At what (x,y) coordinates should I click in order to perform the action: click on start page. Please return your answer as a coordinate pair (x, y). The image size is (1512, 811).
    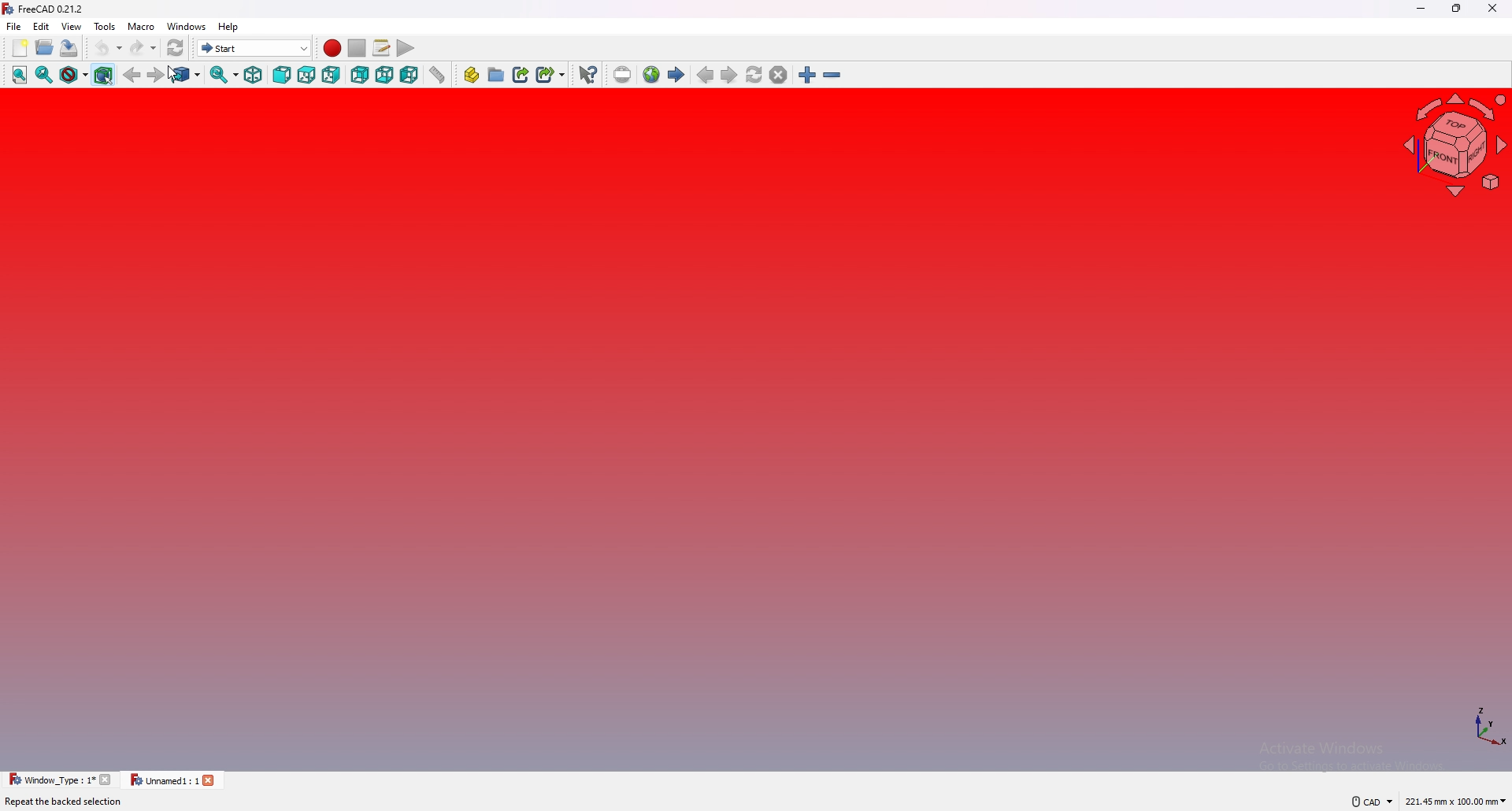
    Looking at the image, I should click on (676, 74).